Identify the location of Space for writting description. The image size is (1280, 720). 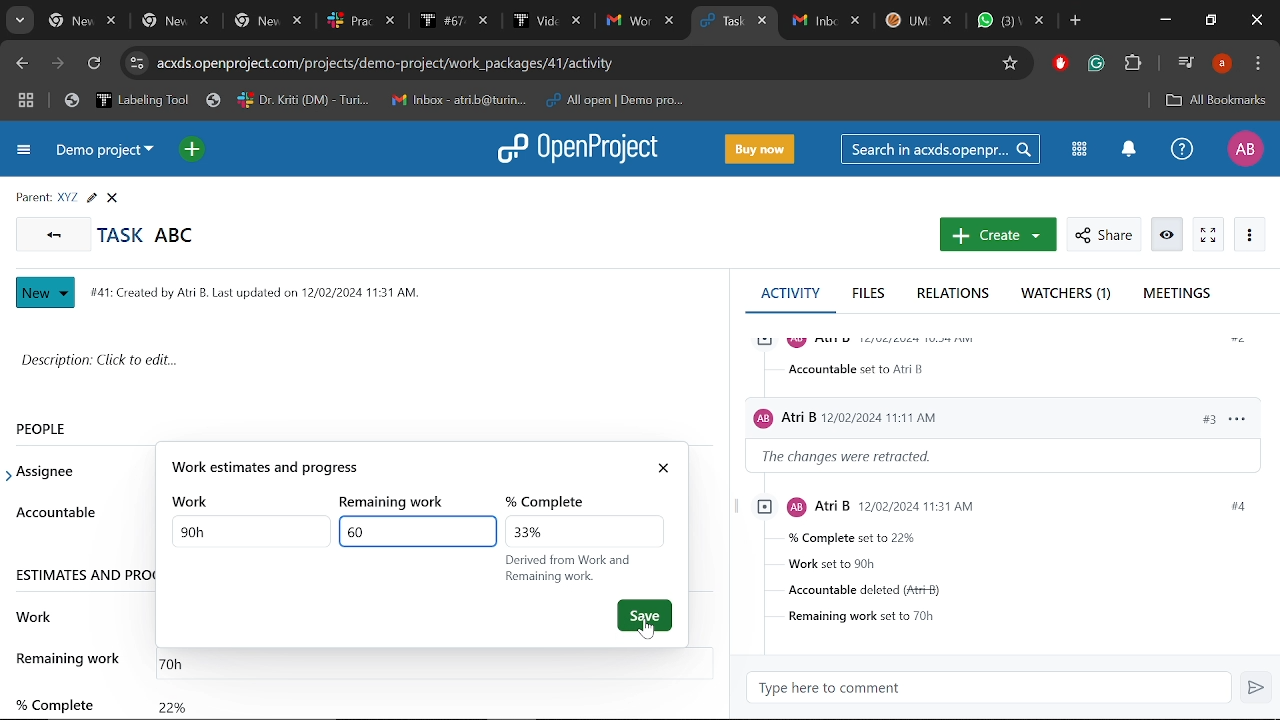
(366, 364).